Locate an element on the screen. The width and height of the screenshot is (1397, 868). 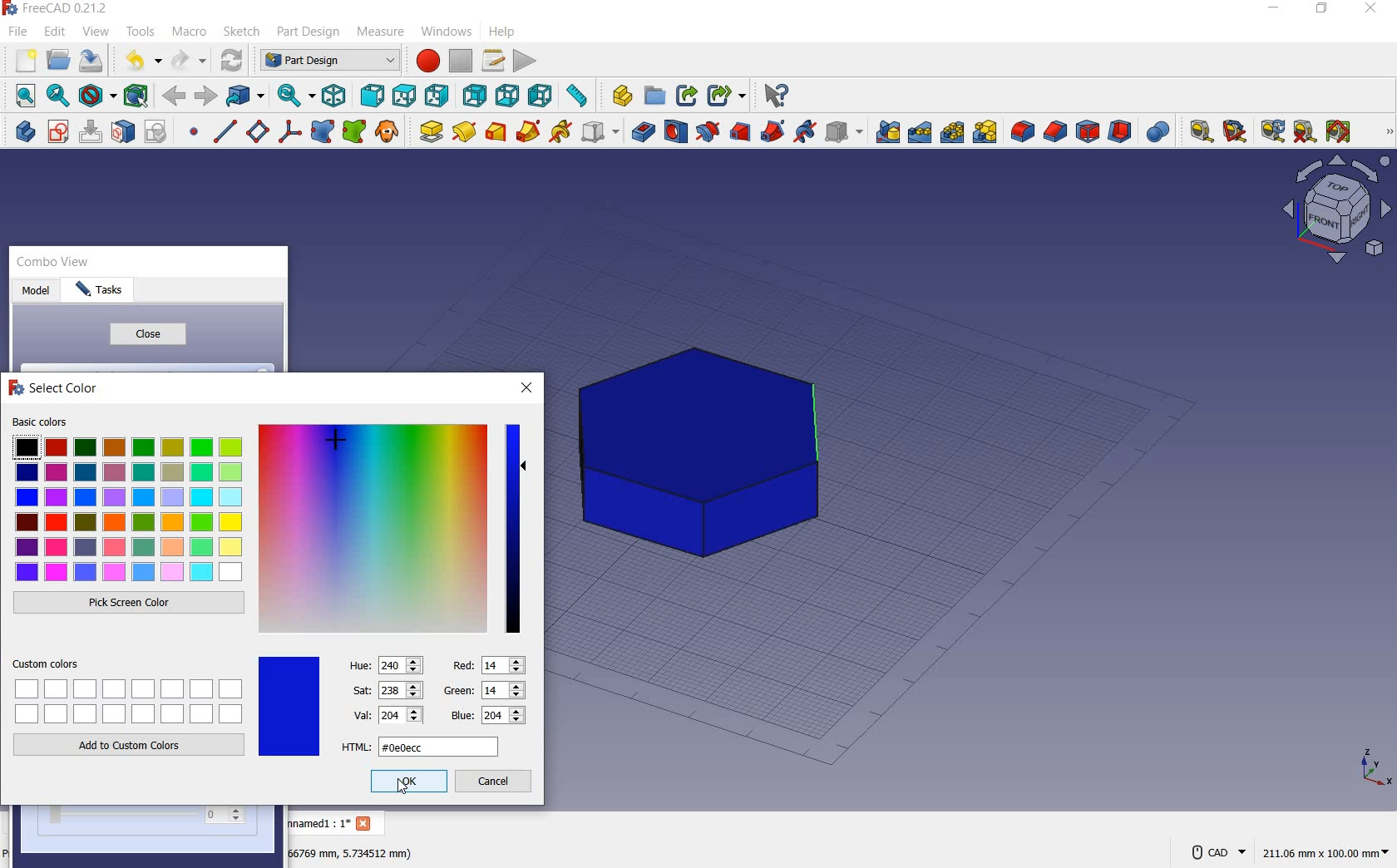
Boolean Operation is located at coordinates (1158, 132).